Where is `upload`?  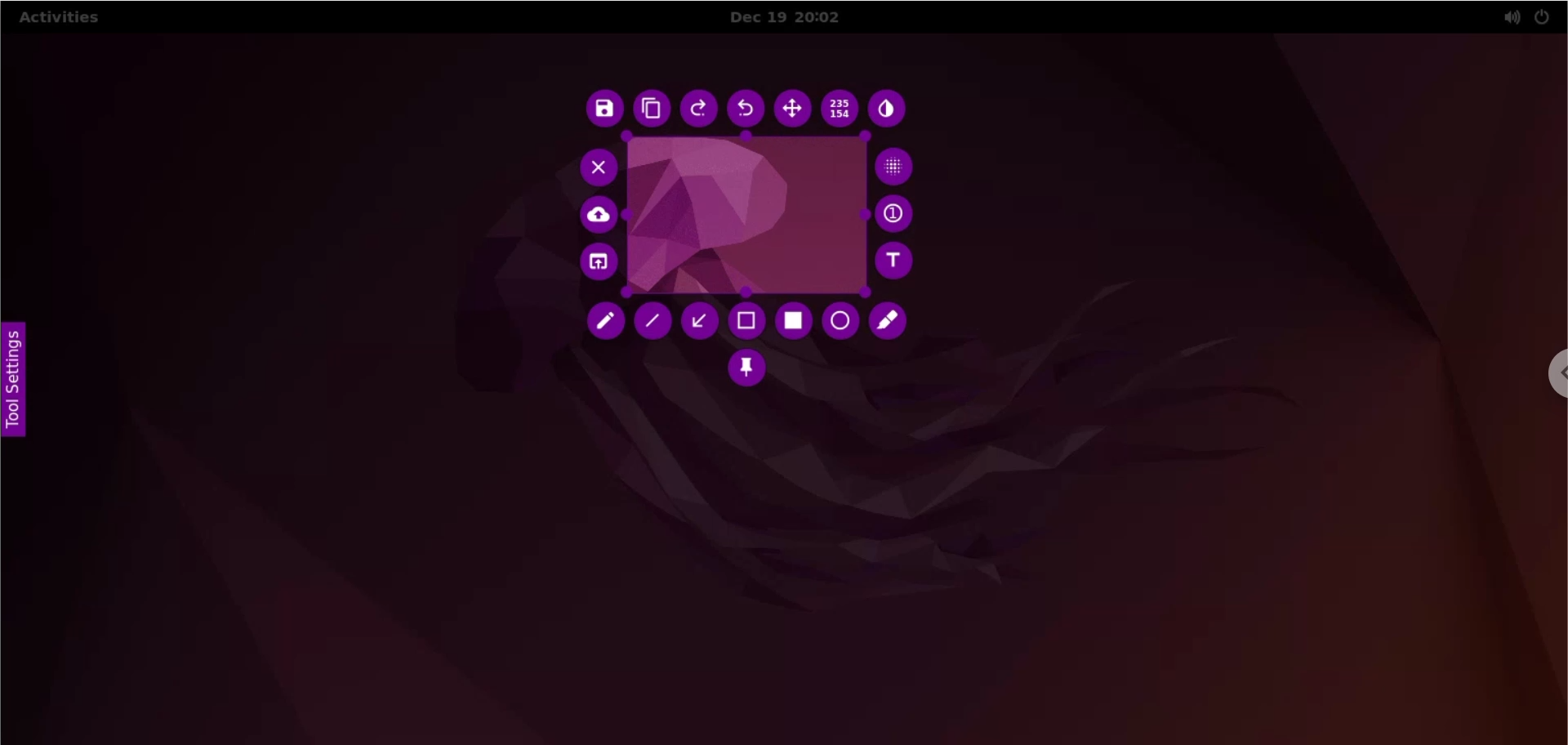 upload is located at coordinates (599, 215).